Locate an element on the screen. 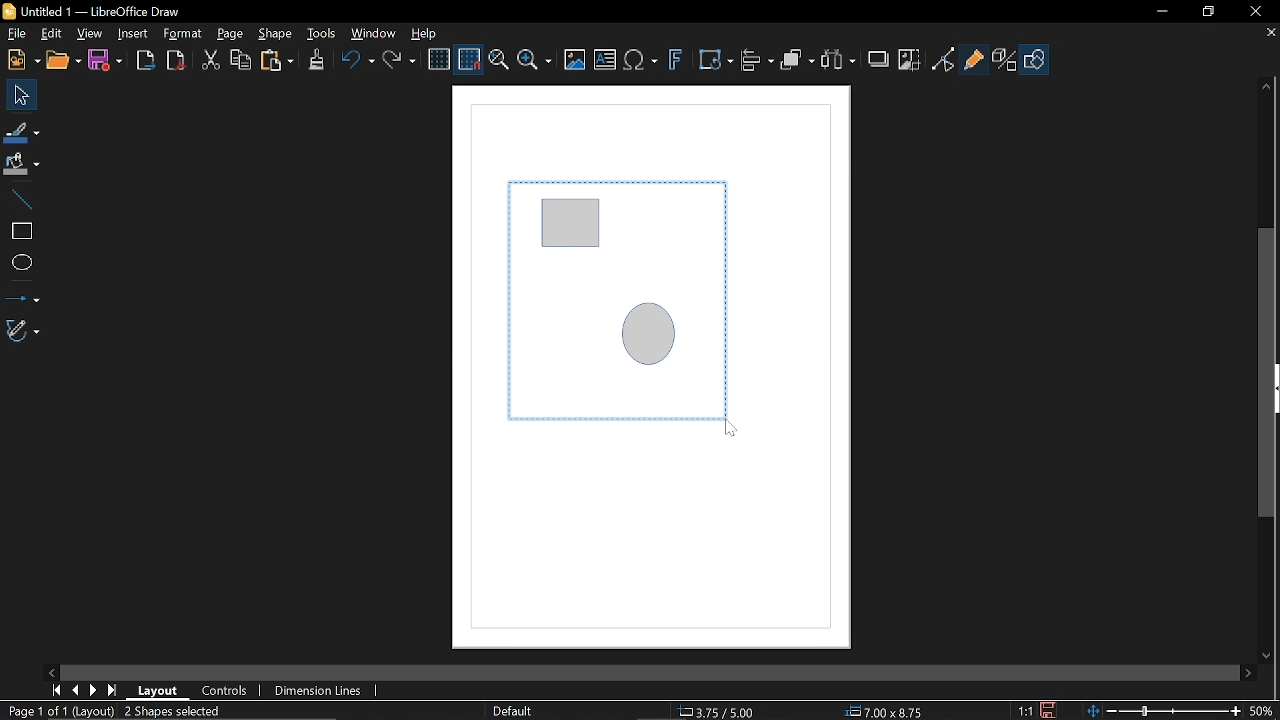 The image size is (1280, 720). First page is located at coordinates (55, 690).